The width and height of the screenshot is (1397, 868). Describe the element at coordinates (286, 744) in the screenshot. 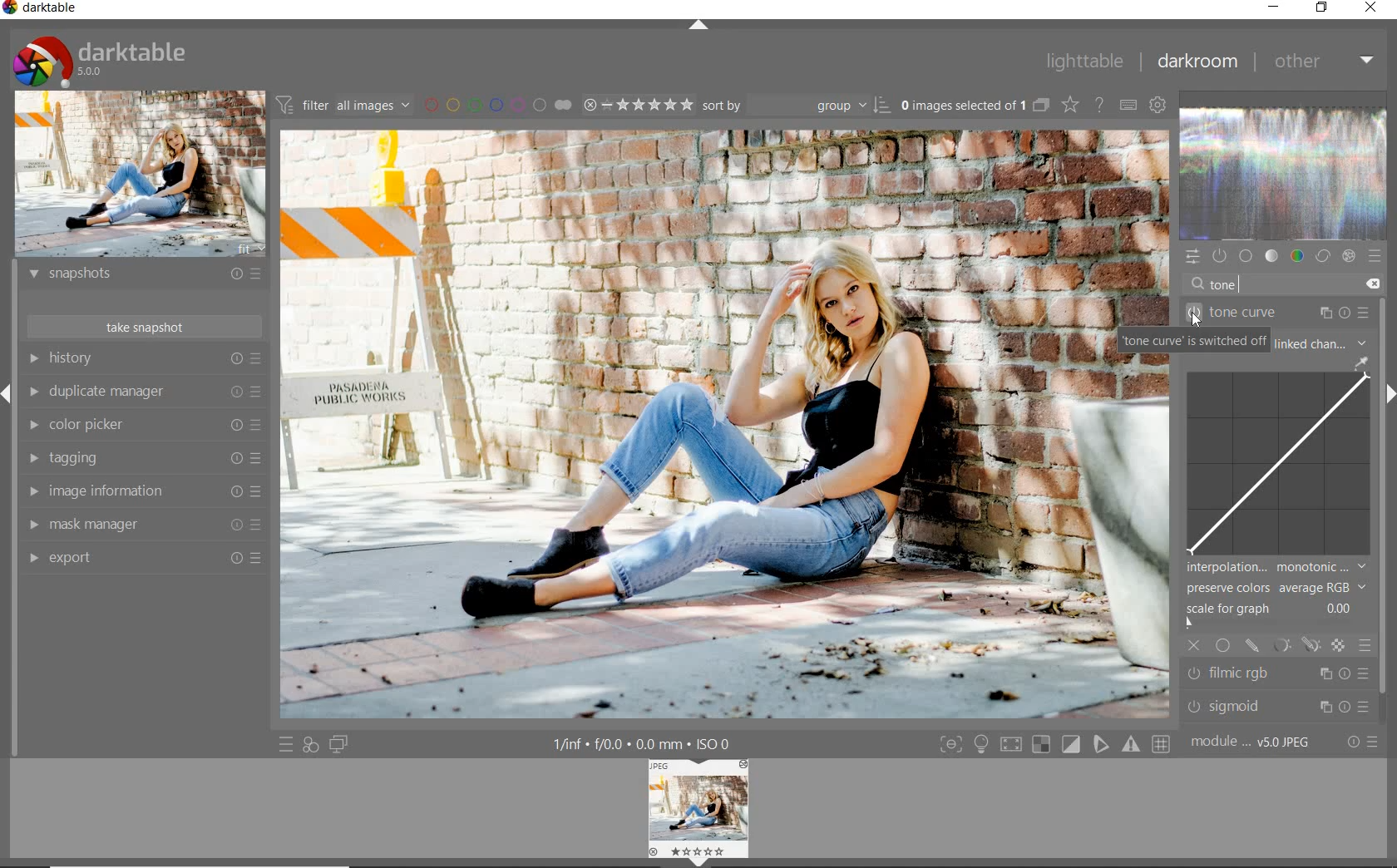

I see `quick access to presets` at that location.